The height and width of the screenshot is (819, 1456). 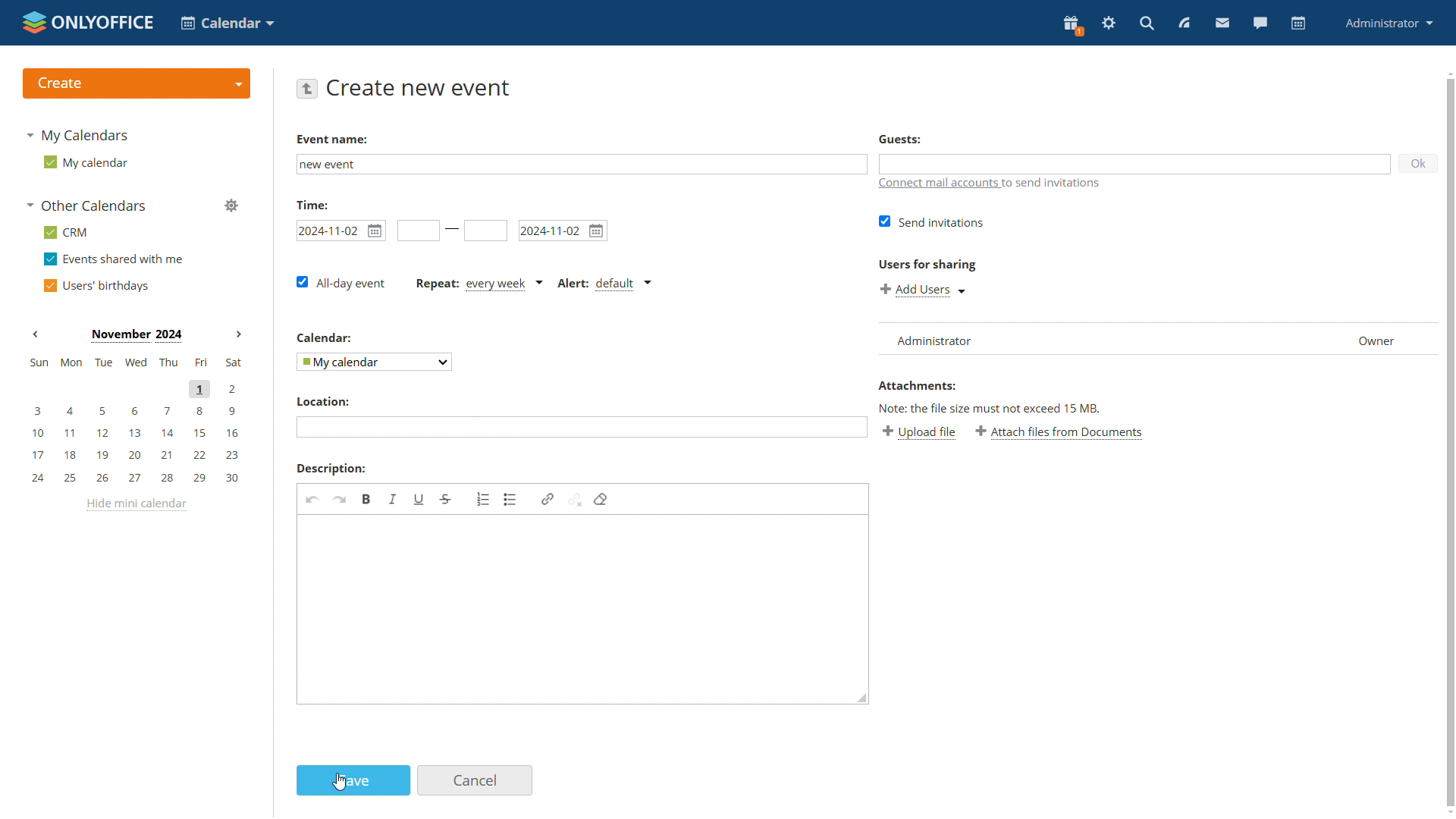 I want to click on talk, so click(x=1260, y=24).